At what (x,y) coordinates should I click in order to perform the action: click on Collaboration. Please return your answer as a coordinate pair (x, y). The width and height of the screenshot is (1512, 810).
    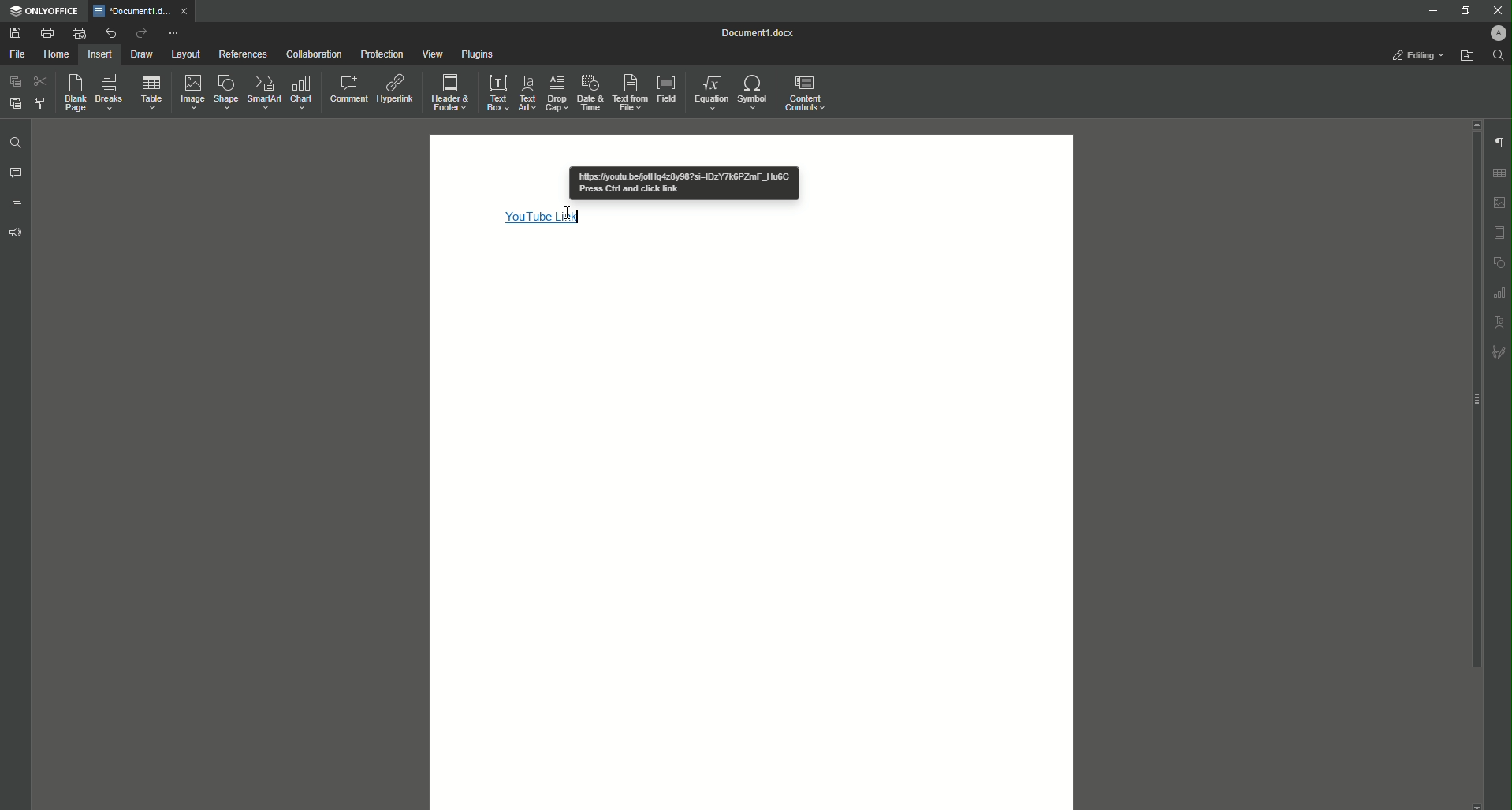
    Looking at the image, I should click on (314, 54).